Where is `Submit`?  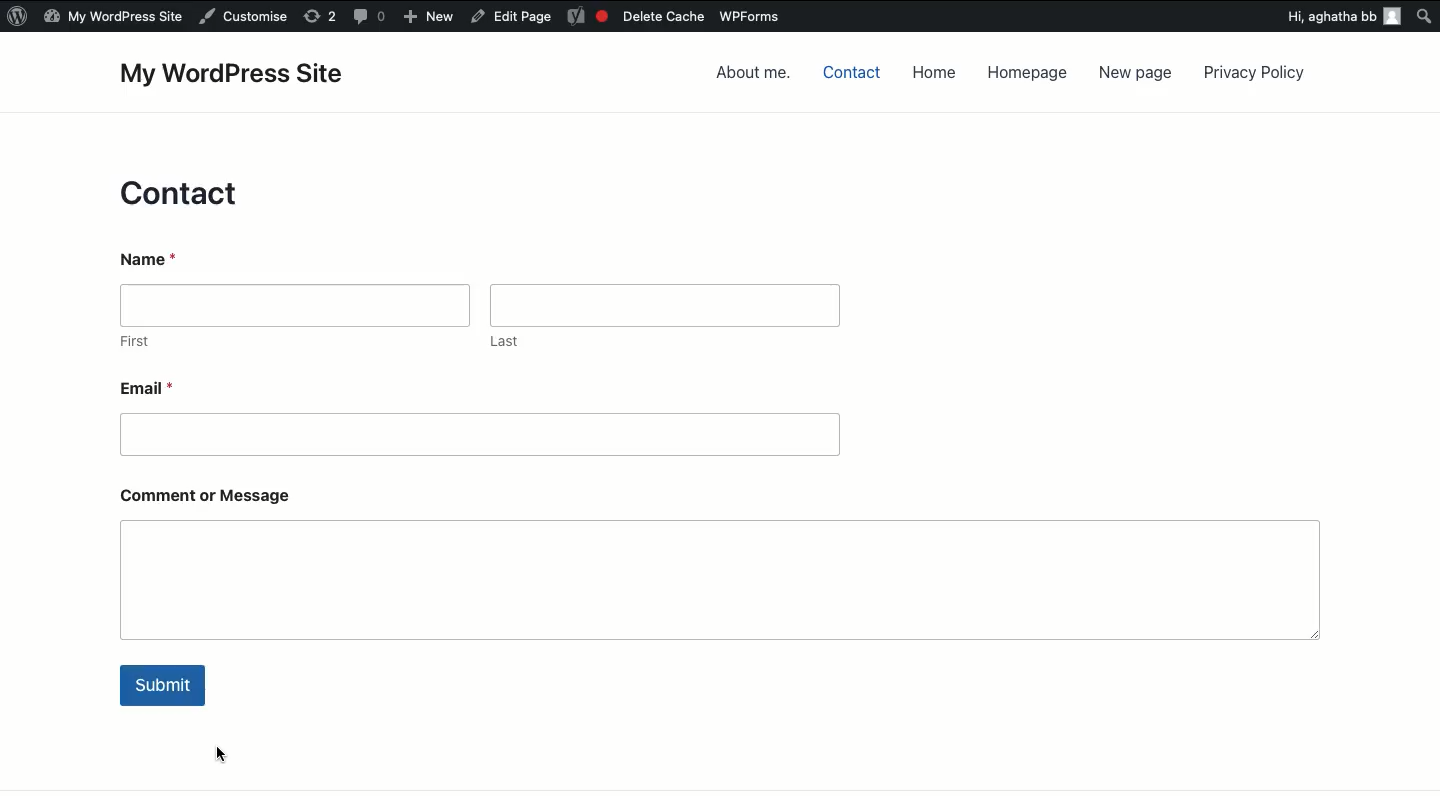
Submit is located at coordinates (164, 686).